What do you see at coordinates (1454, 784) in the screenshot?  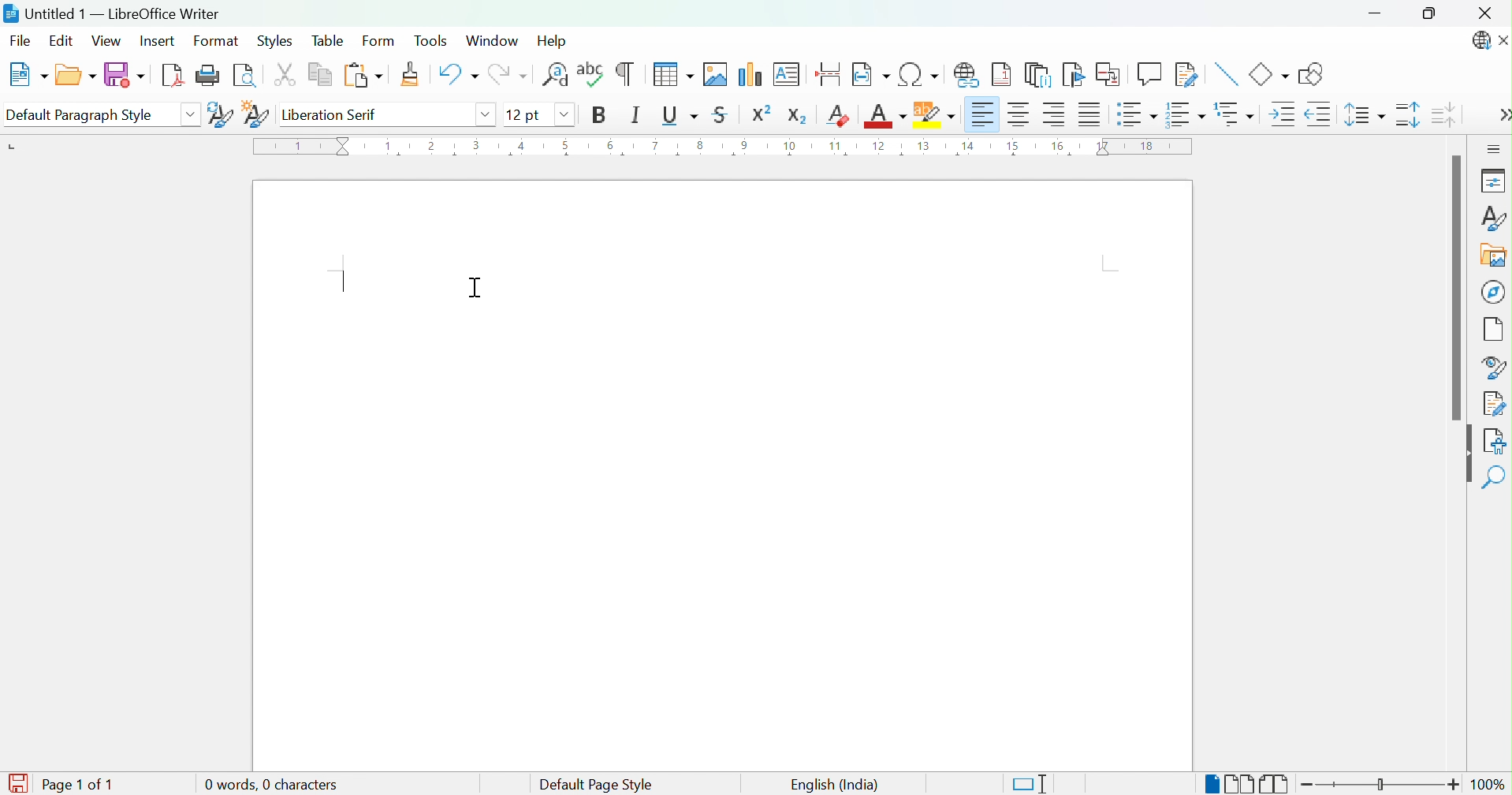 I see `Zoom in` at bounding box center [1454, 784].